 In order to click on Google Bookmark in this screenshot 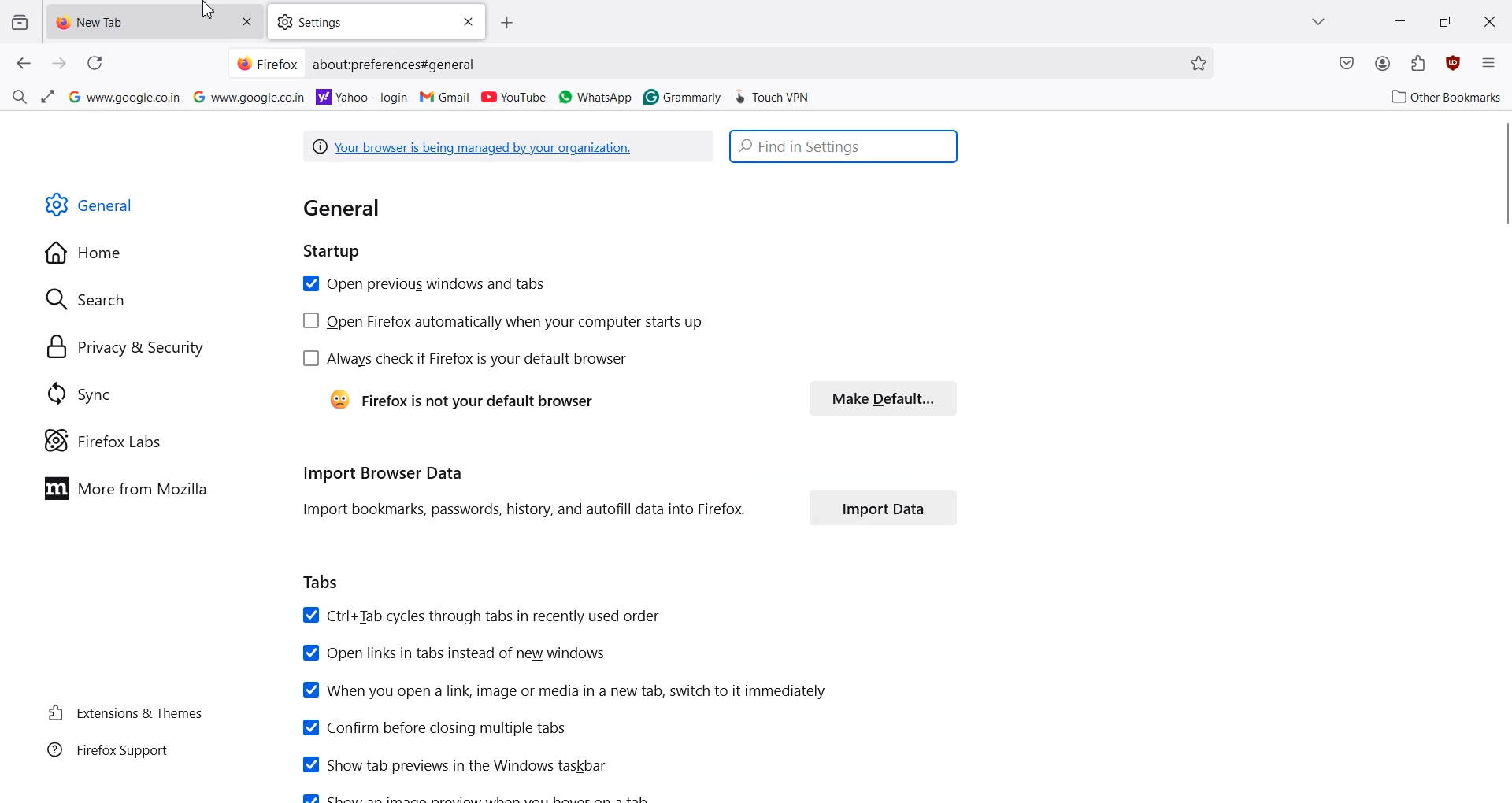, I will do `click(250, 96)`.